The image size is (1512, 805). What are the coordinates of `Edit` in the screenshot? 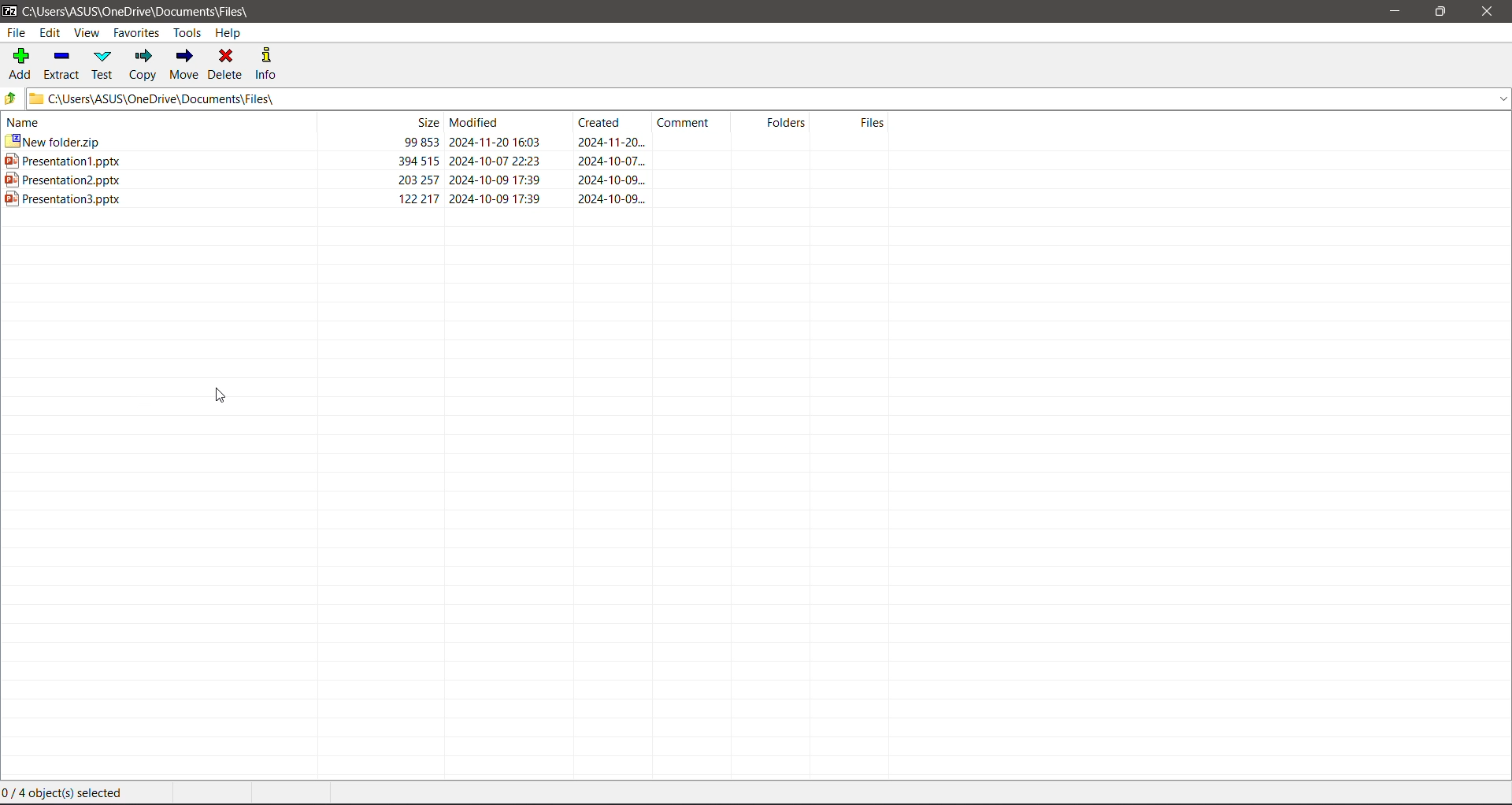 It's located at (50, 32).